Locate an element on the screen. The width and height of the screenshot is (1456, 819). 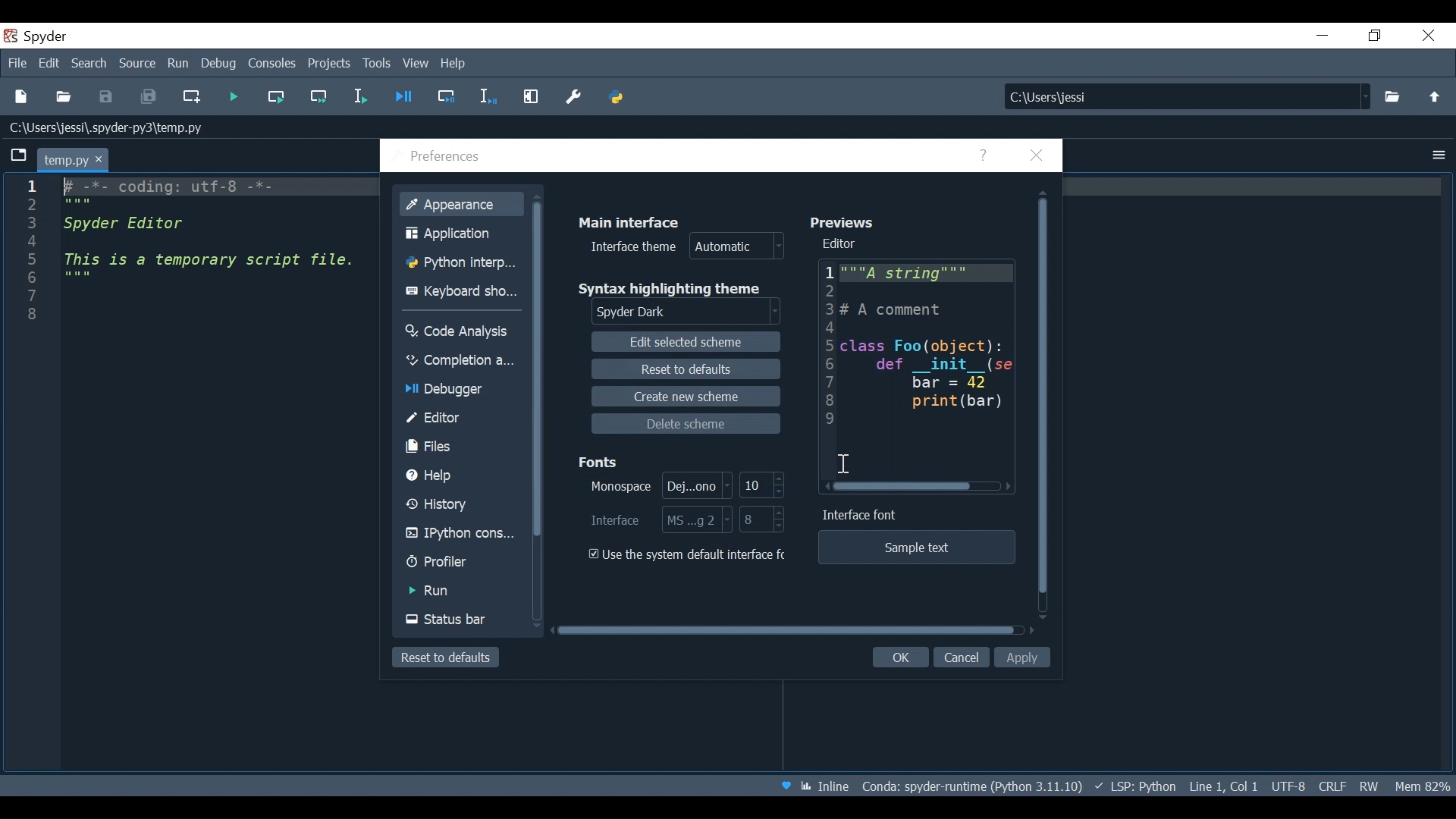
Completion analysis is located at coordinates (462, 359).